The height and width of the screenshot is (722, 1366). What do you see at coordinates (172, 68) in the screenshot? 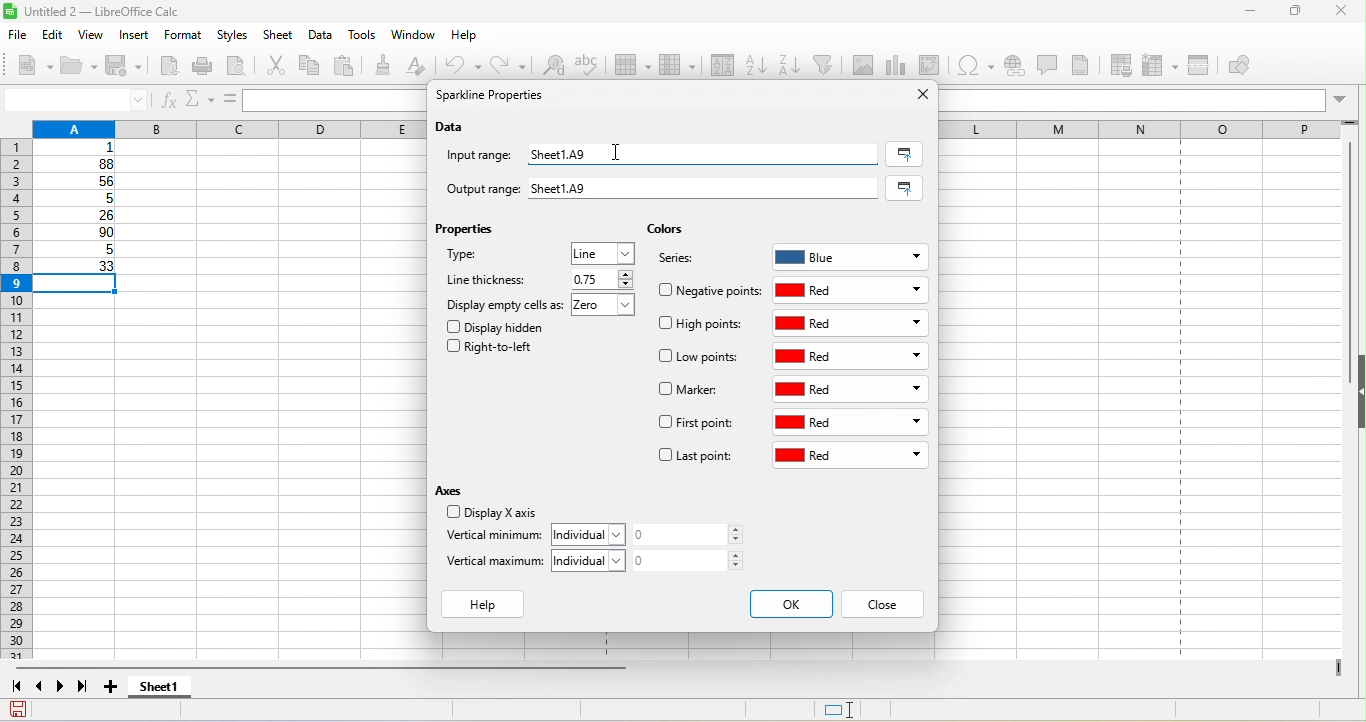
I see `export directly as pdf` at bounding box center [172, 68].